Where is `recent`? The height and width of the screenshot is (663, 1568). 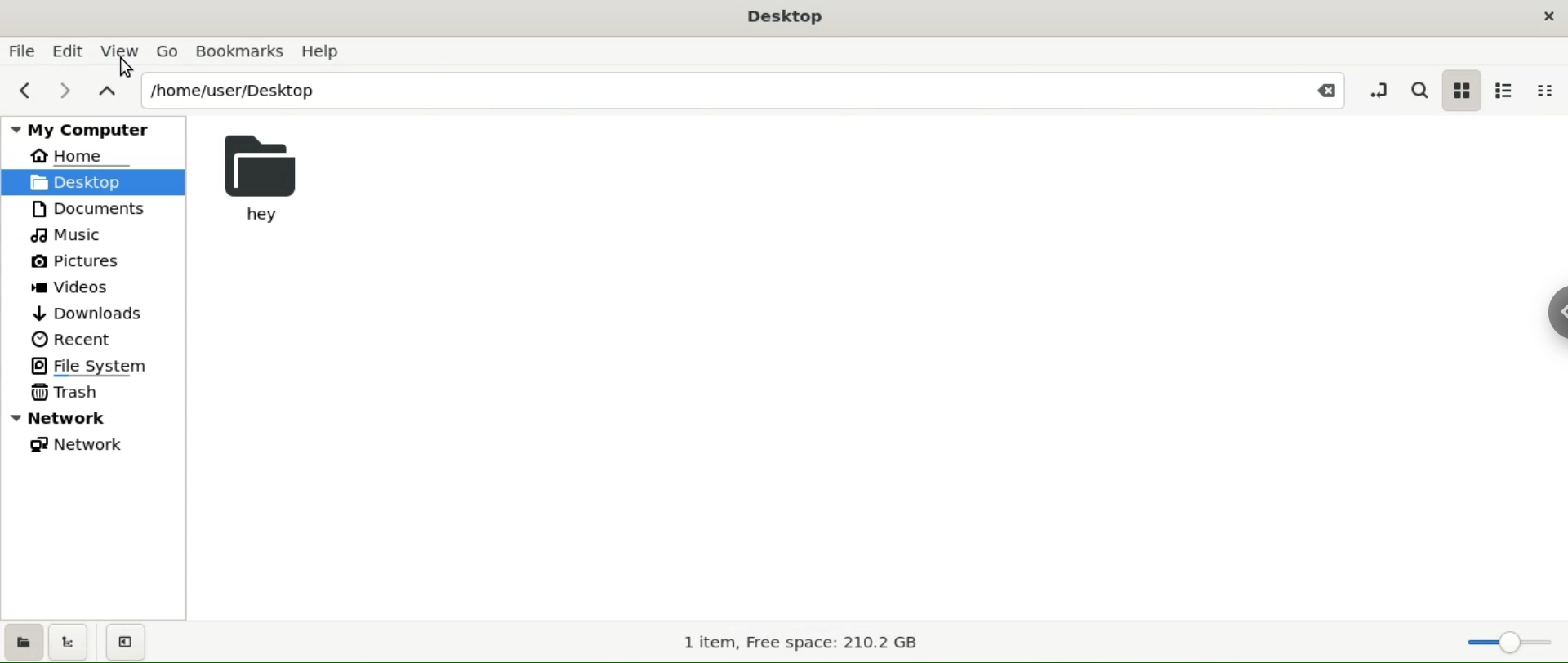 recent is located at coordinates (74, 338).